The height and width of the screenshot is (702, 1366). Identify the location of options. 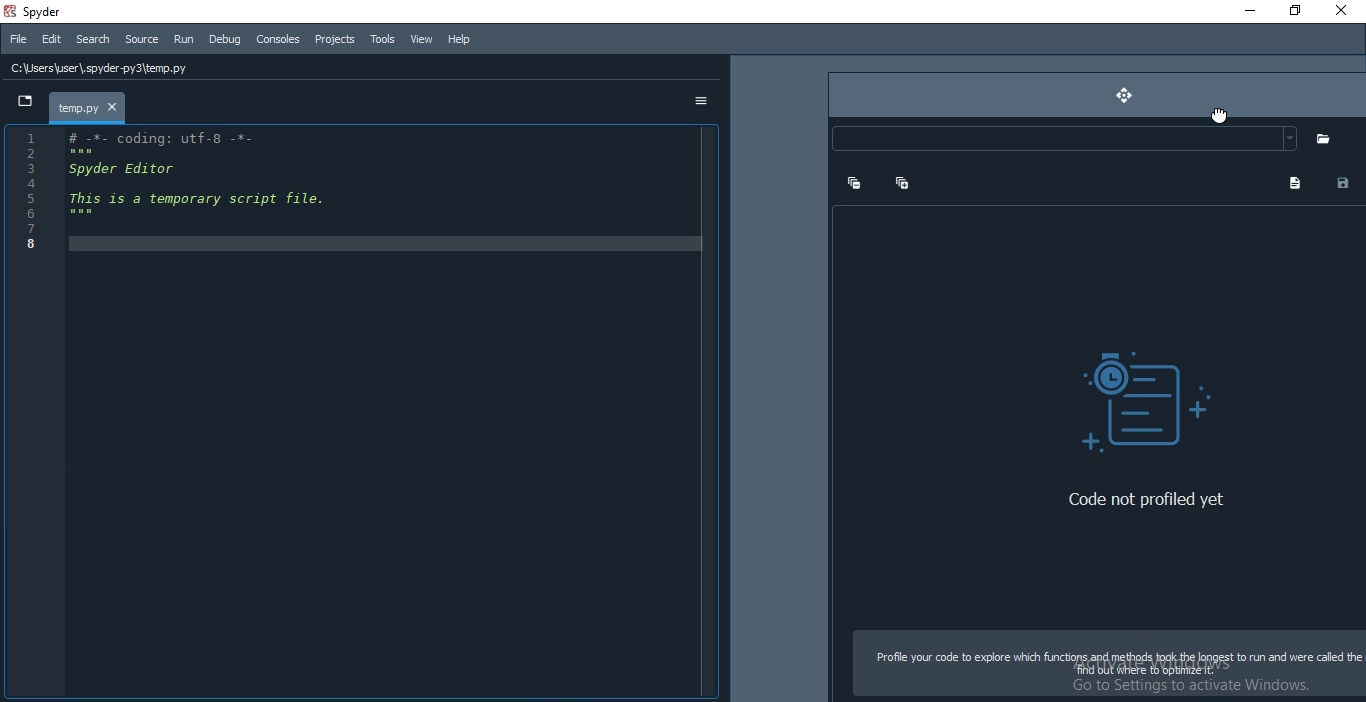
(697, 103).